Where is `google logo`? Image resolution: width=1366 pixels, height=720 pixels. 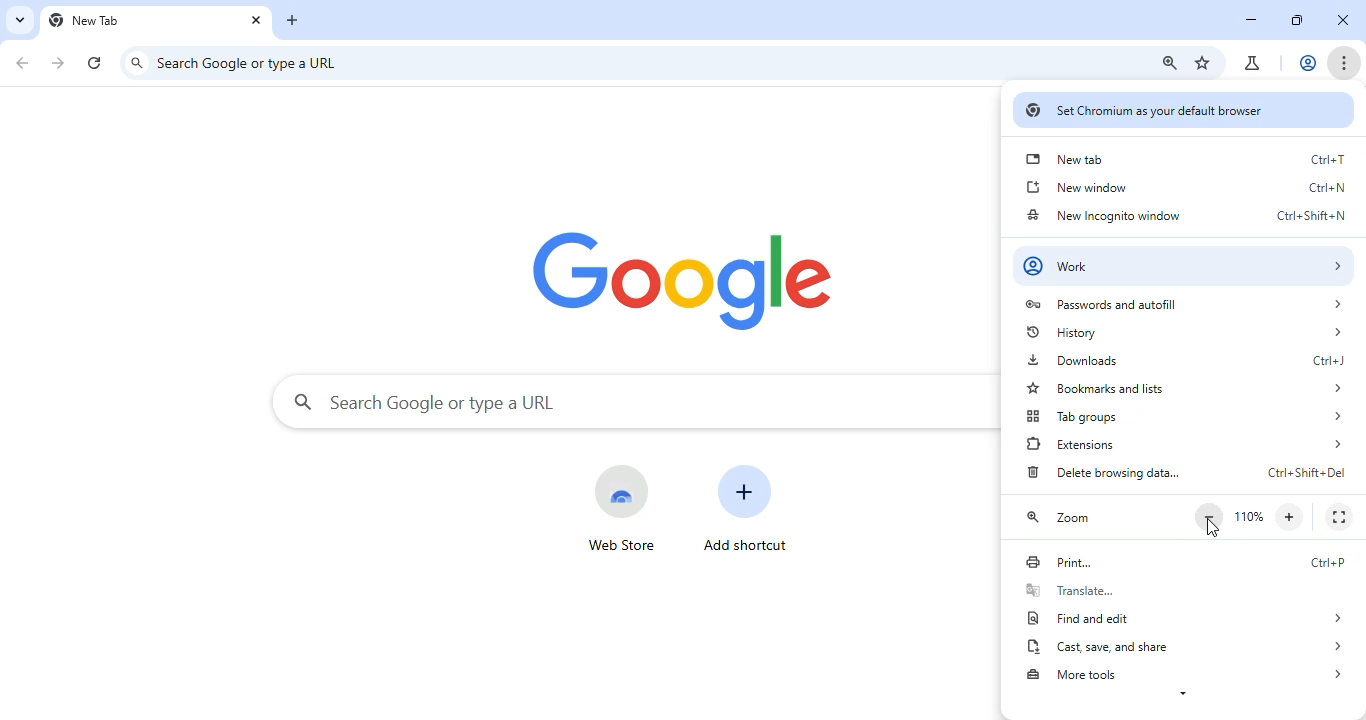 google logo is located at coordinates (686, 278).